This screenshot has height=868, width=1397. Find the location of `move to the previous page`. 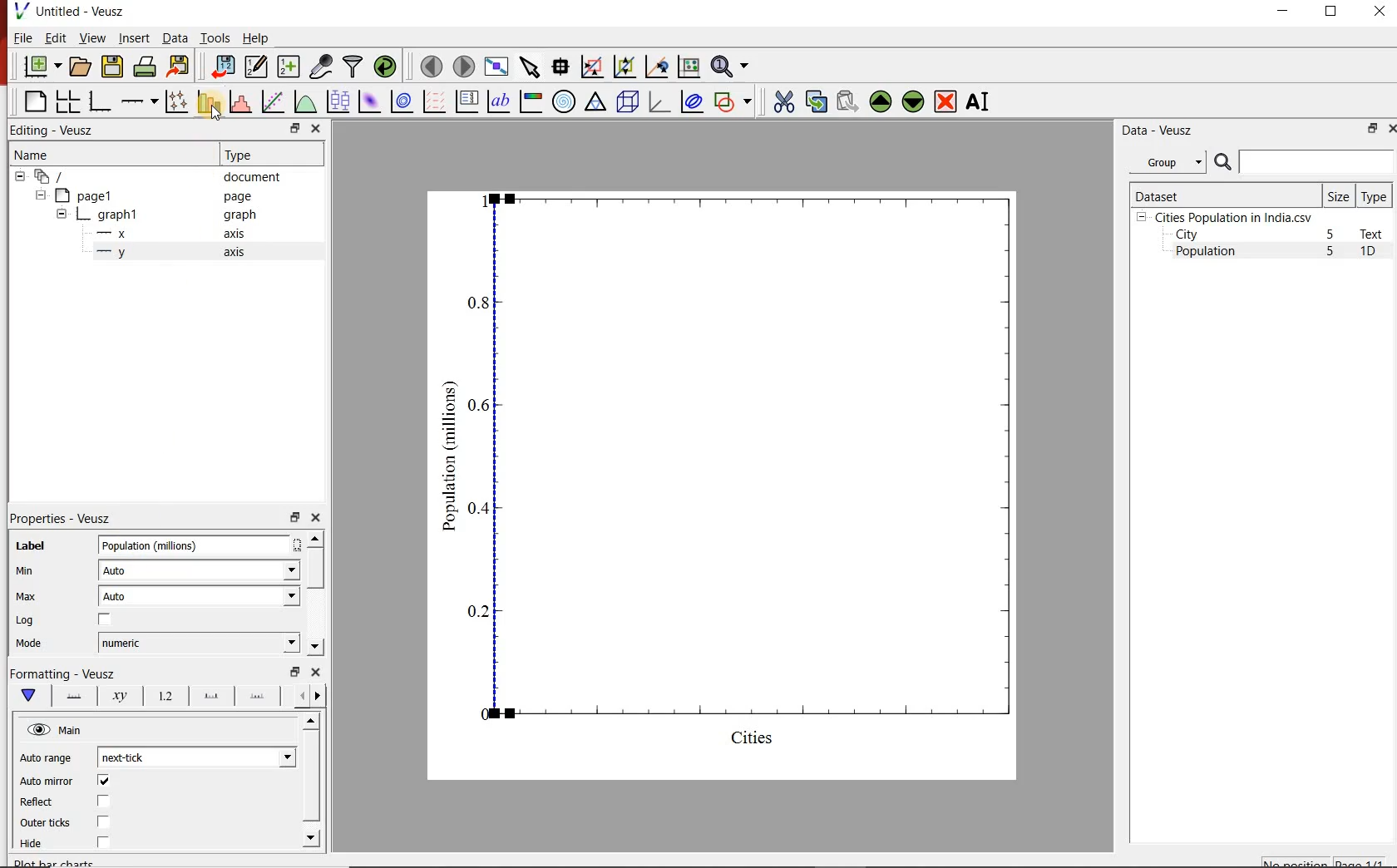

move to the previous page is located at coordinates (429, 65).